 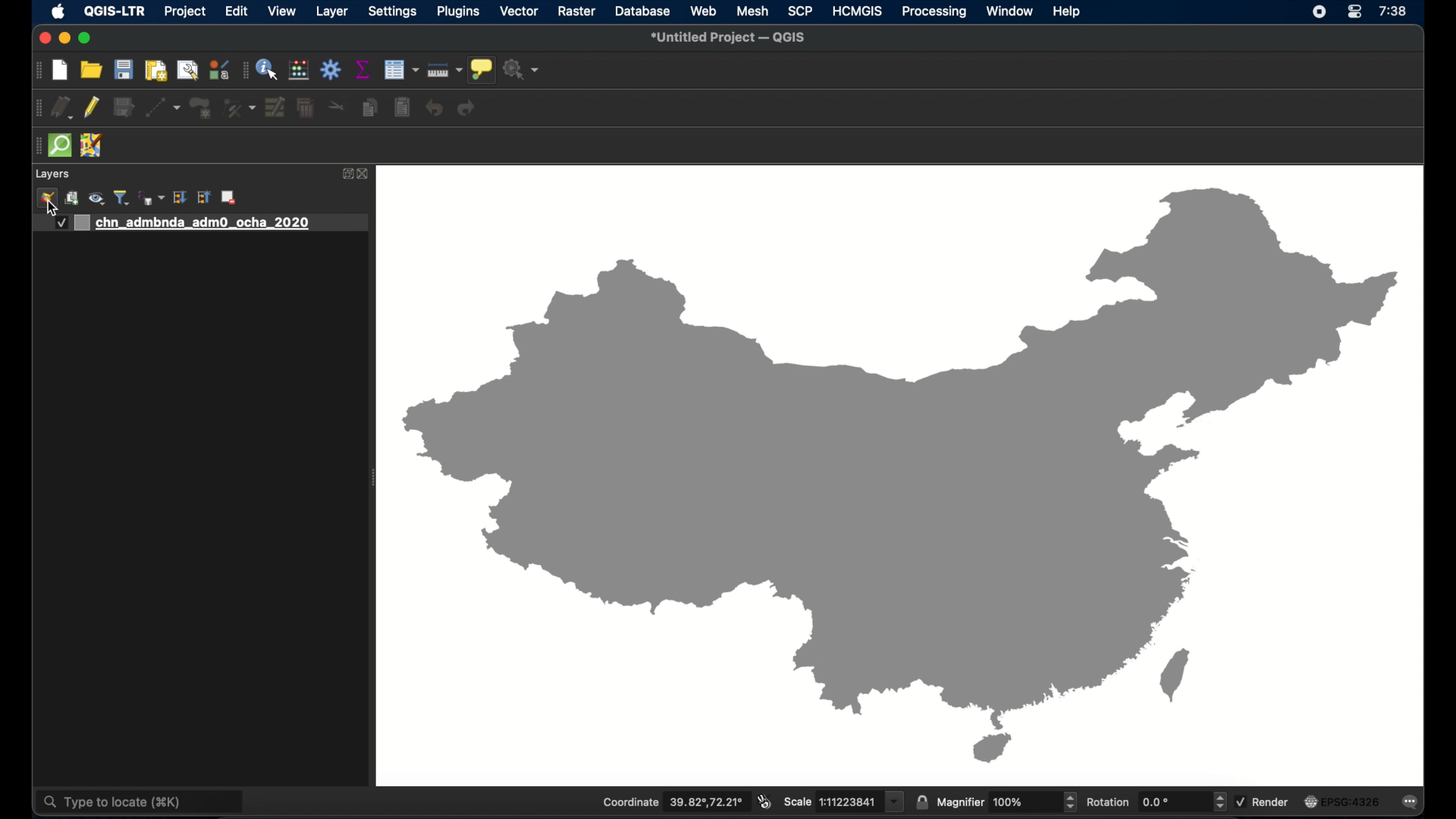 What do you see at coordinates (1343, 801) in the screenshot?
I see `current crs` at bounding box center [1343, 801].